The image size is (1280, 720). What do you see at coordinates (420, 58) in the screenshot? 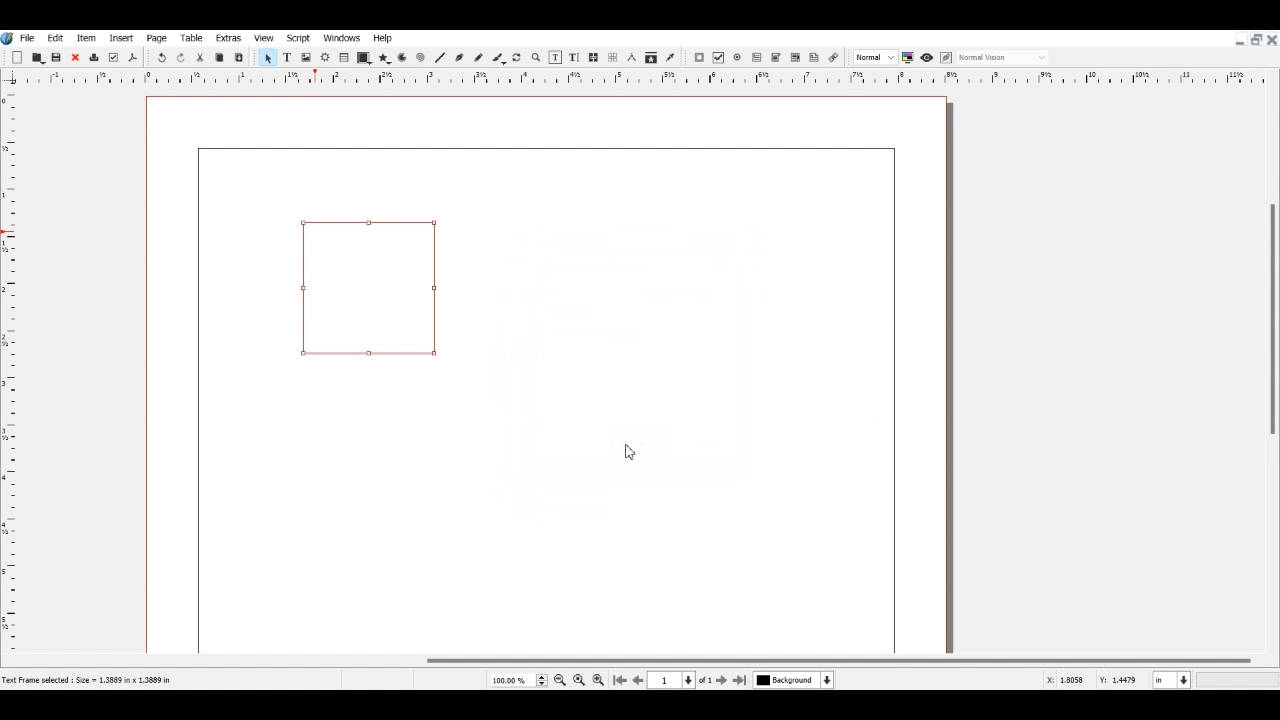
I see `Spiral` at bounding box center [420, 58].